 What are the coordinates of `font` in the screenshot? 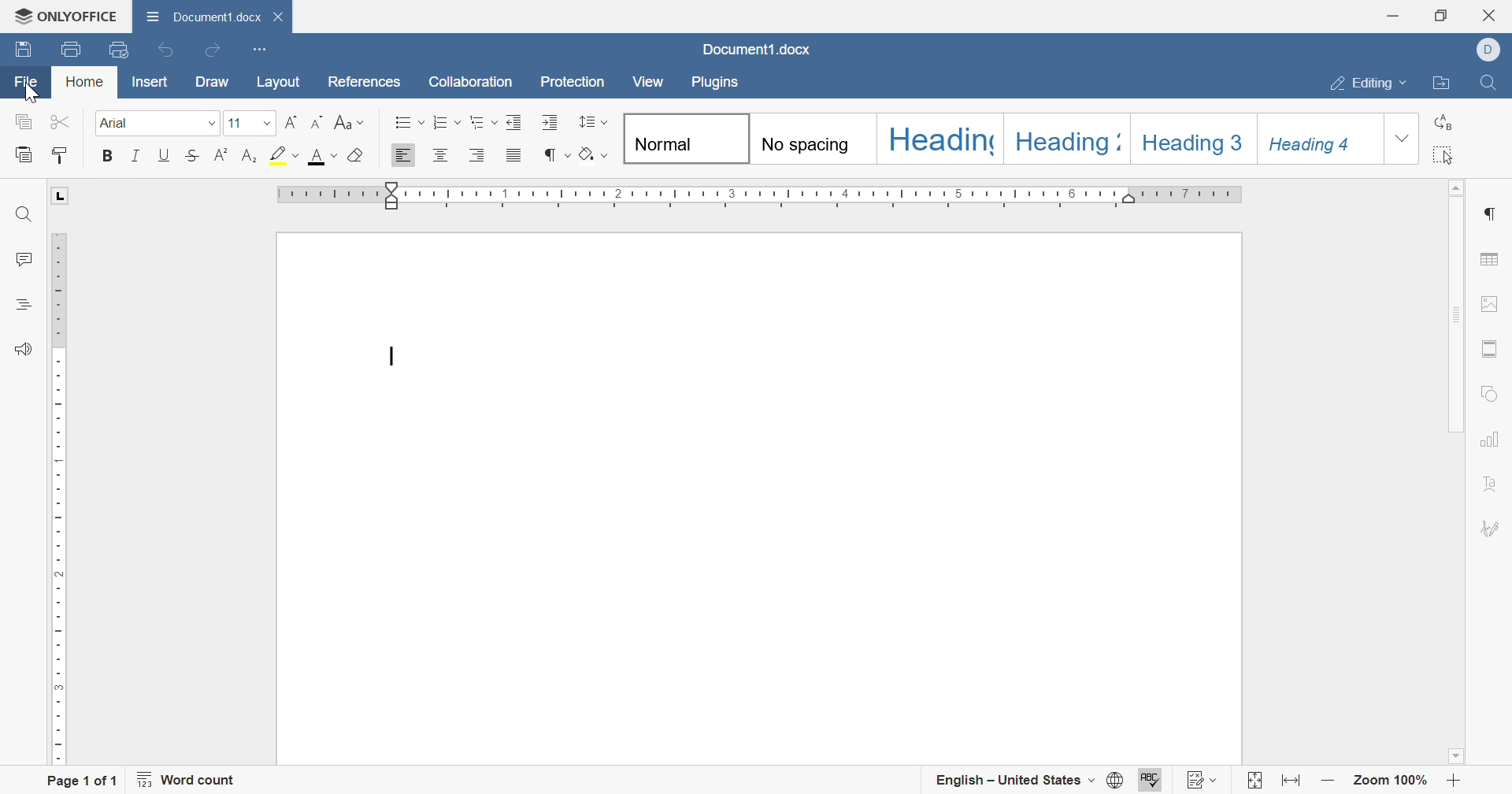 It's located at (159, 122).